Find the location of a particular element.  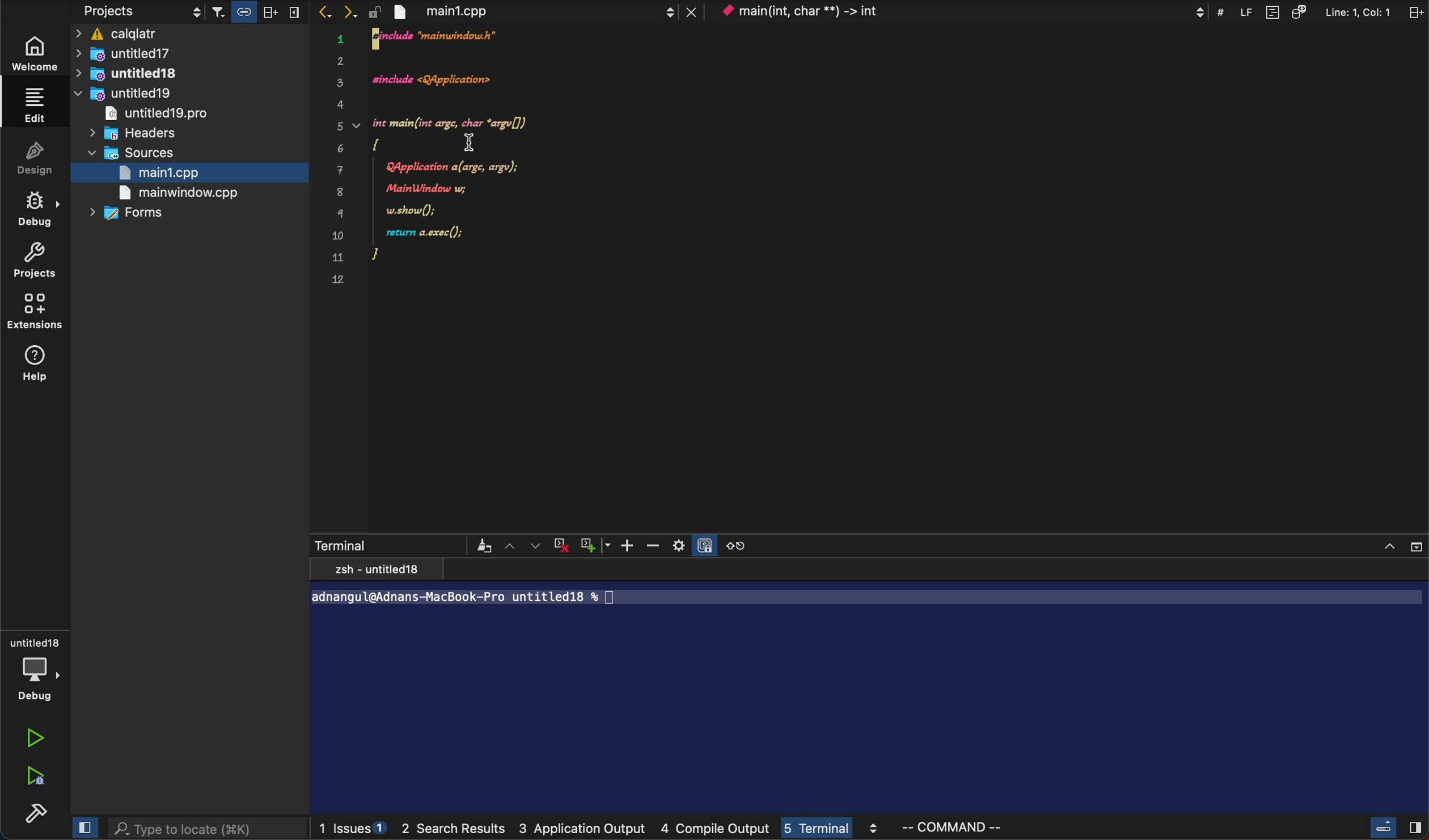

compile output is located at coordinates (719, 830).